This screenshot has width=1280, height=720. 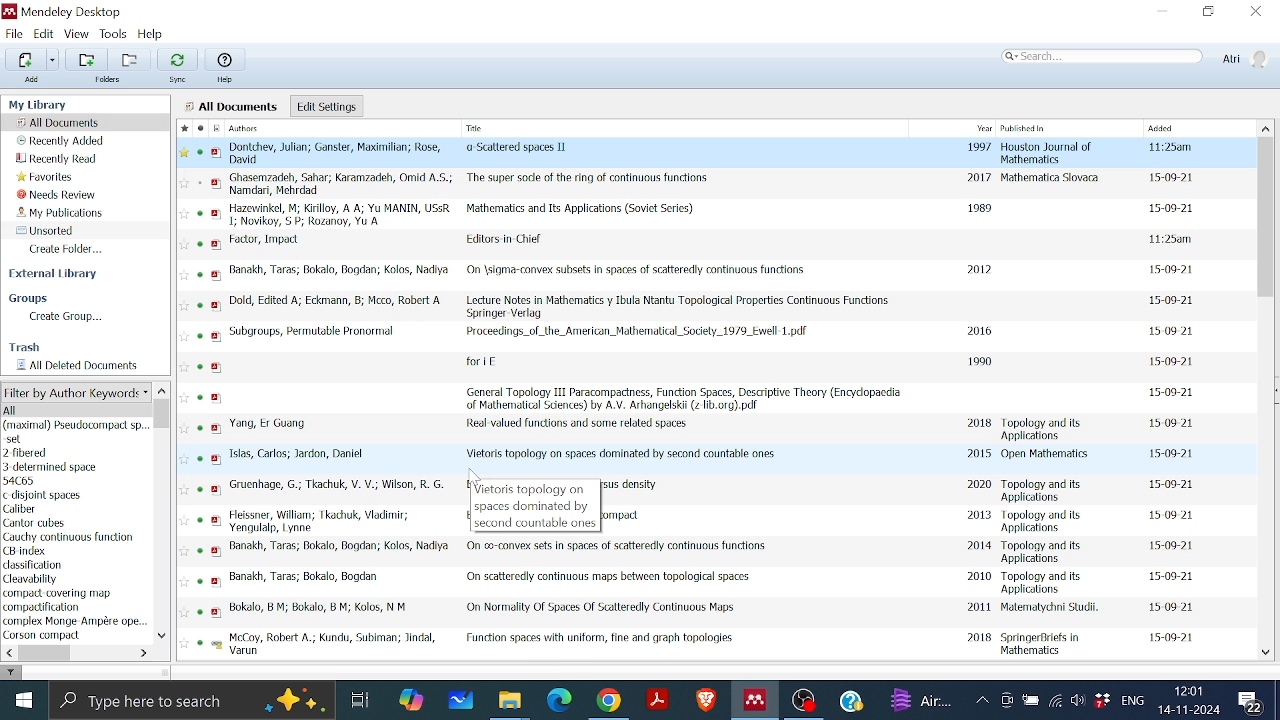 What do you see at coordinates (319, 606) in the screenshot?
I see `Author` at bounding box center [319, 606].